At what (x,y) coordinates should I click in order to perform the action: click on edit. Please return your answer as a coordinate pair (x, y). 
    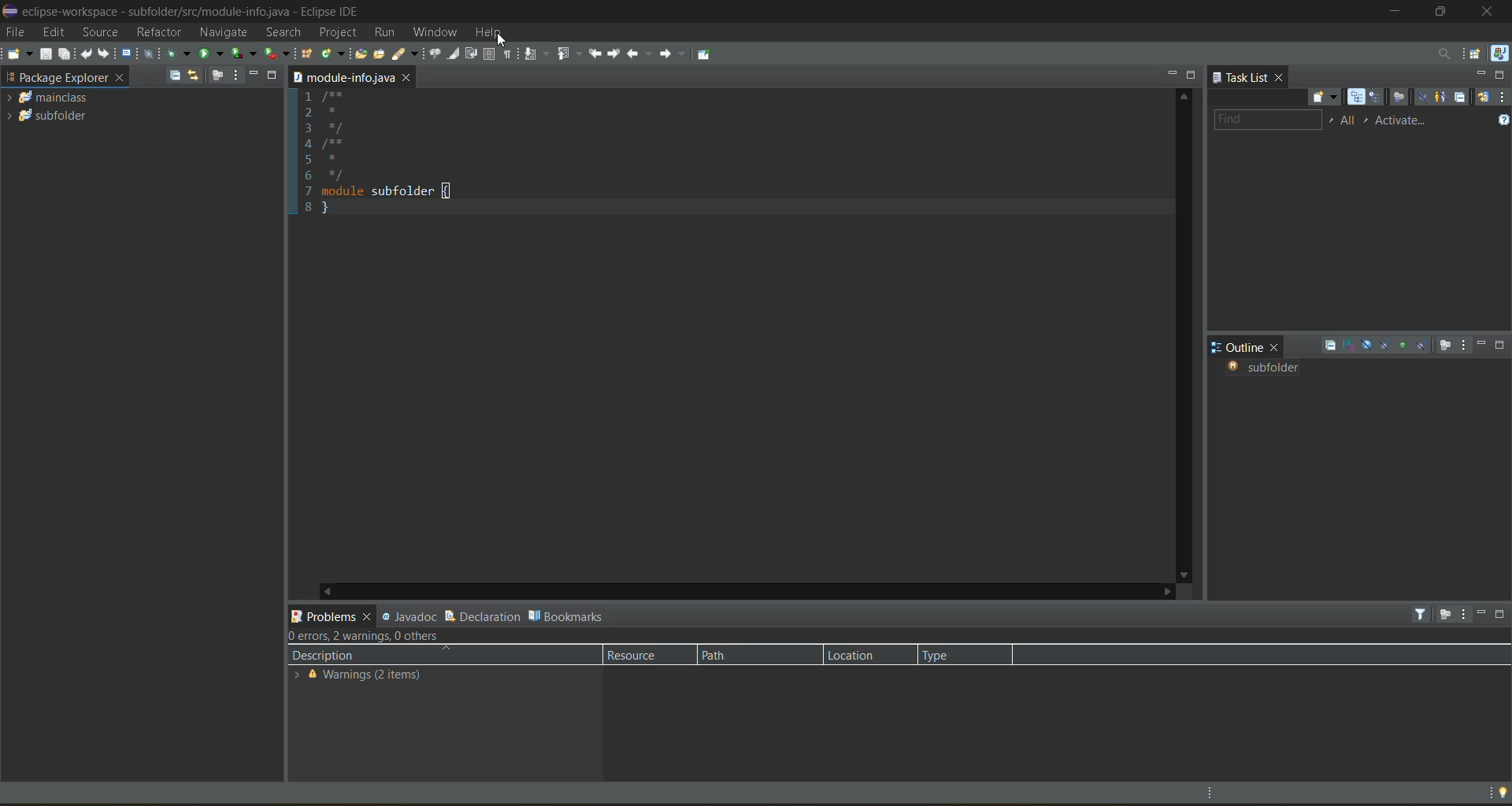
    Looking at the image, I should click on (57, 33).